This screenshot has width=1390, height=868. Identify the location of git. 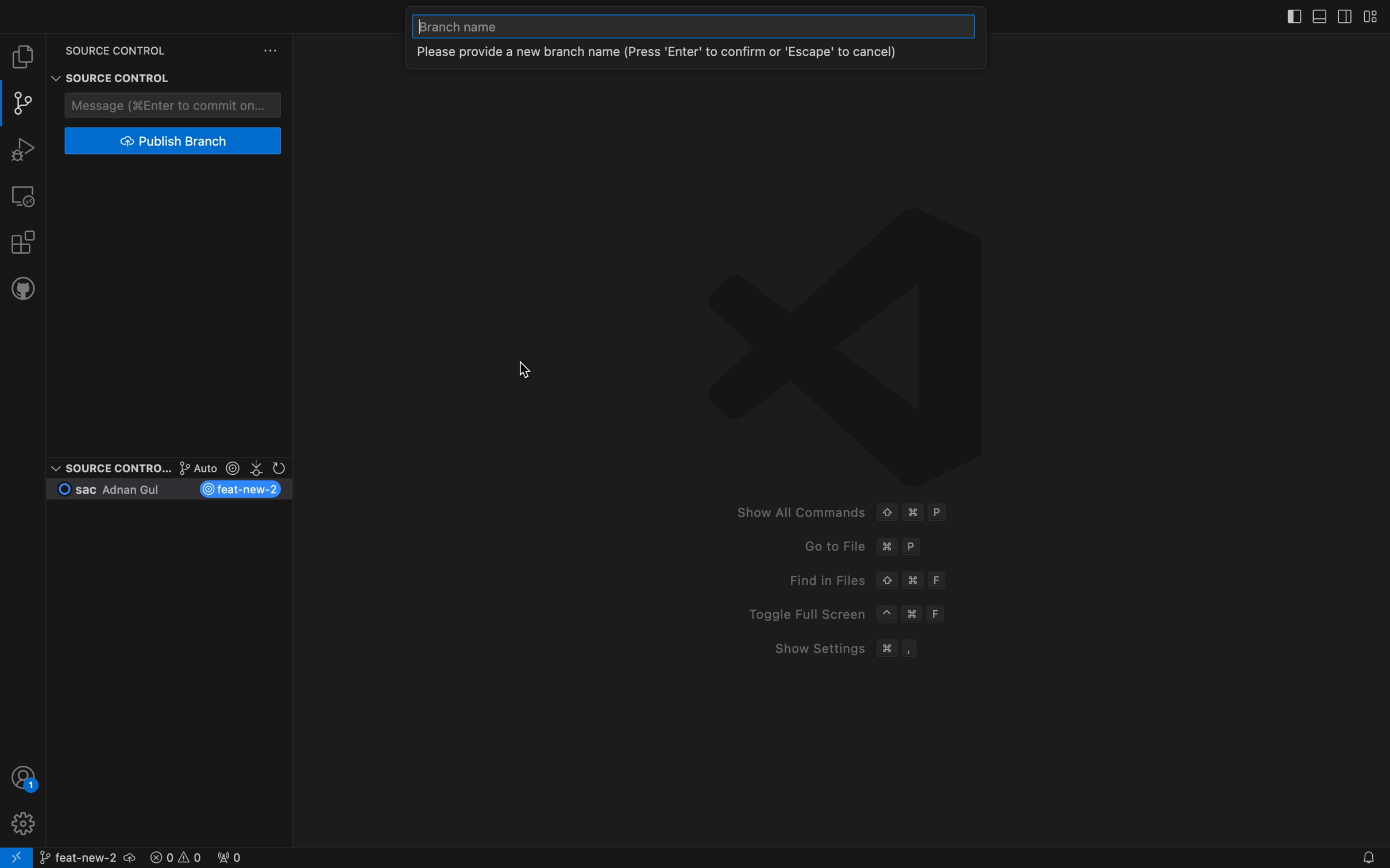
(25, 103).